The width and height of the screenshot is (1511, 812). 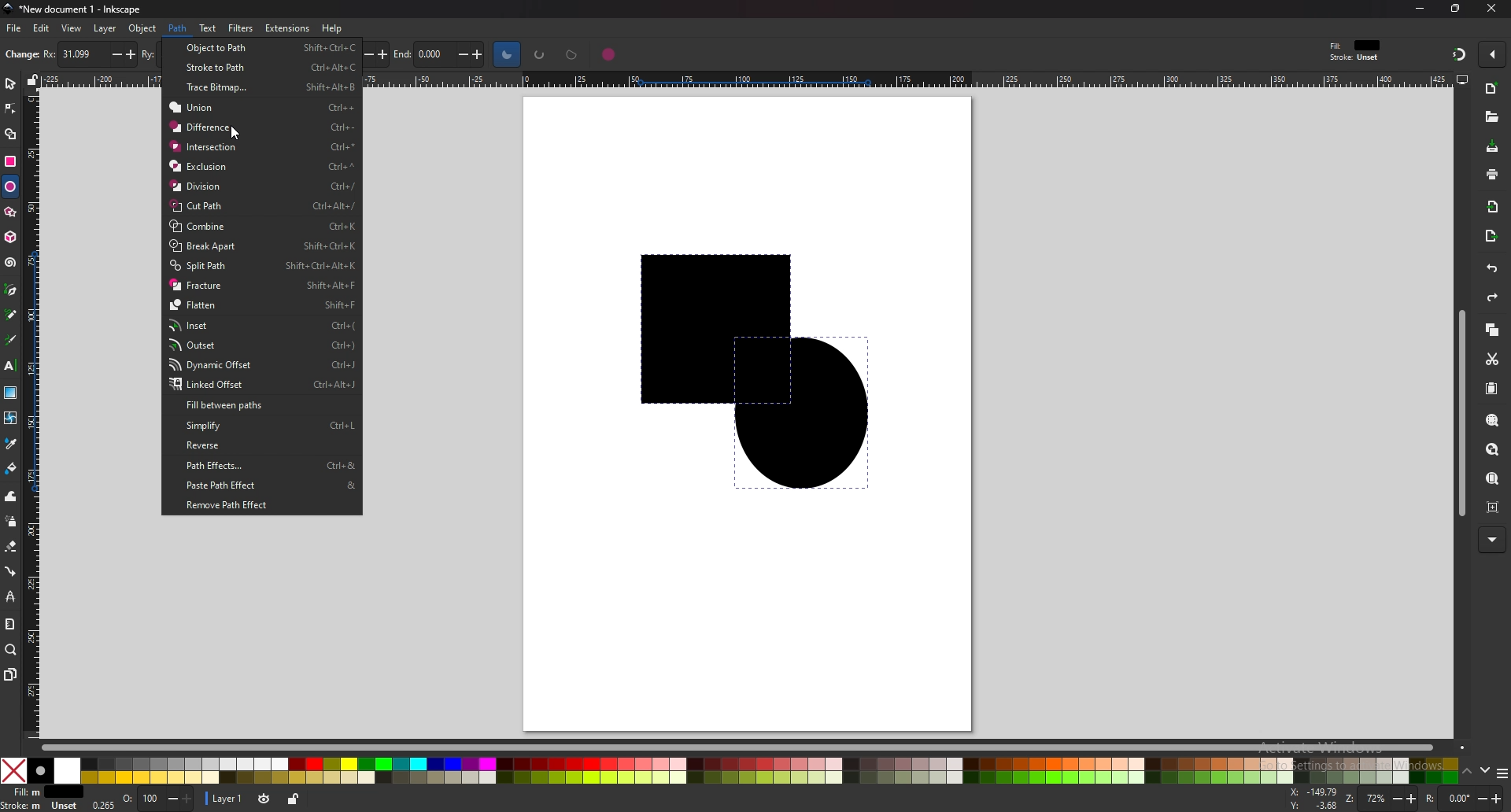 What do you see at coordinates (263, 247) in the screenshot?
I see `Break Apart` at bounding box center [263, 247].